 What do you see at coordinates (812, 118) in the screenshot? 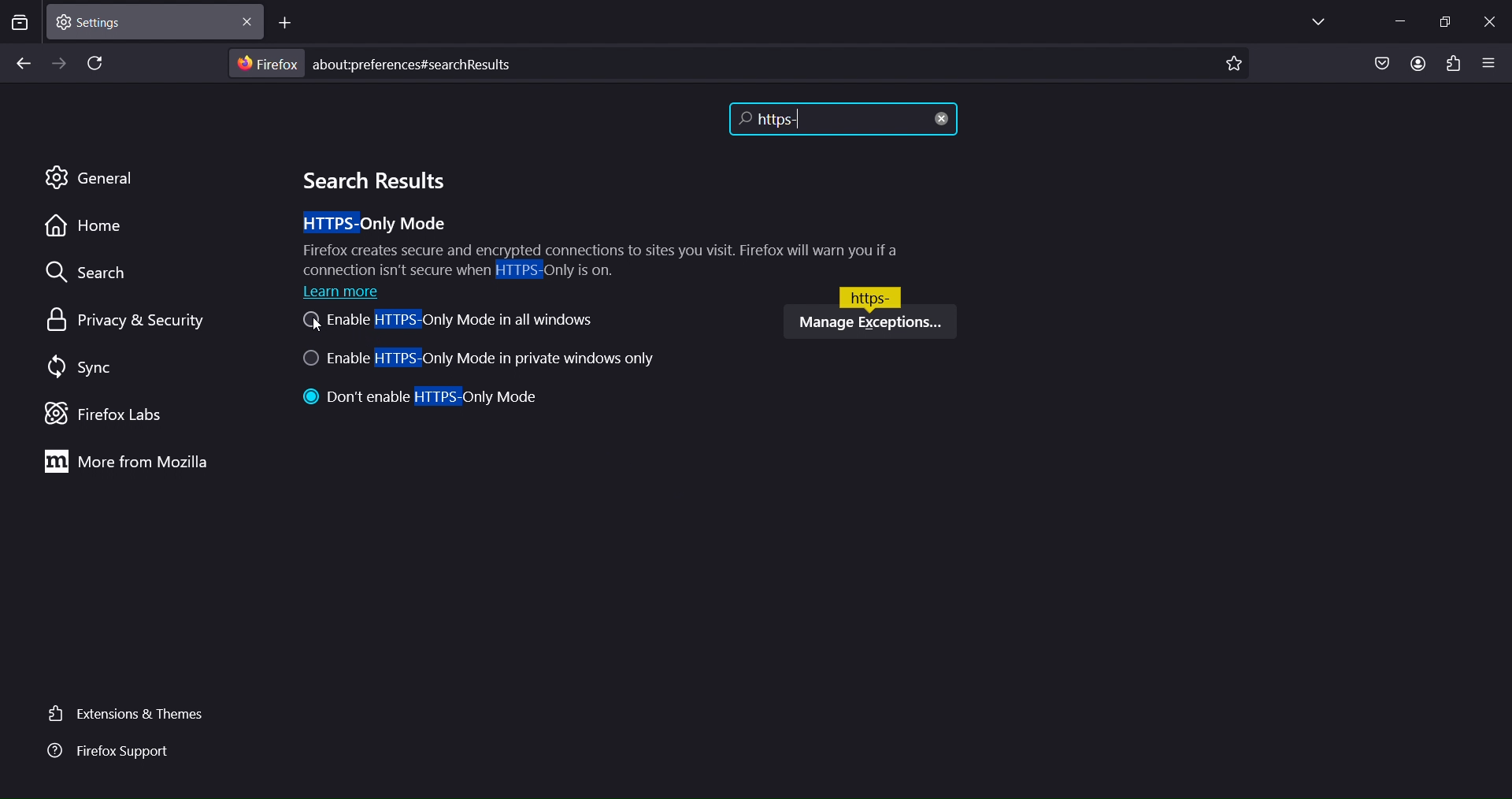
I see `https-` at bounding box center [812, 118].